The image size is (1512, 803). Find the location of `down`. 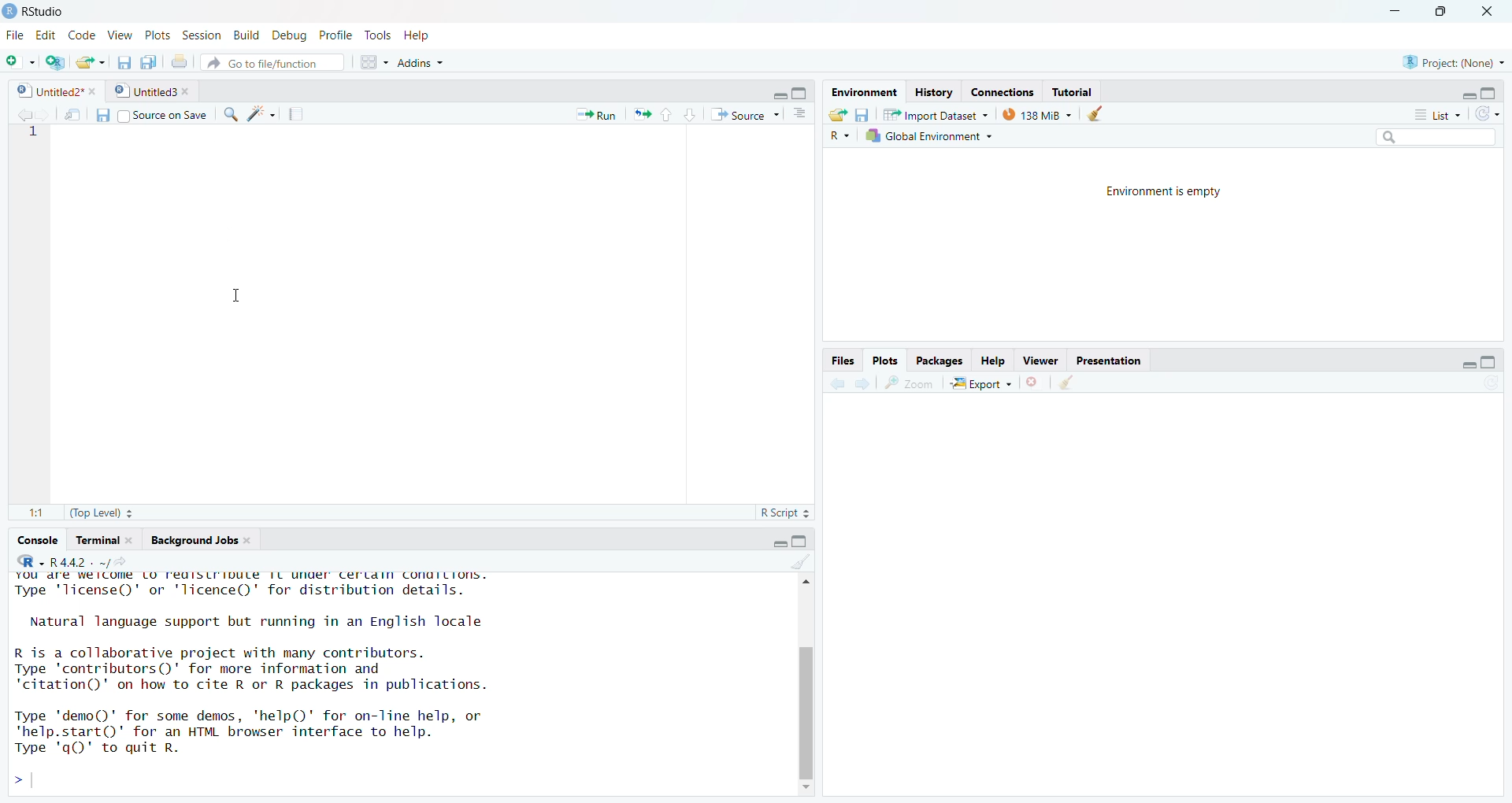

down is located at coordinates (693, 114).